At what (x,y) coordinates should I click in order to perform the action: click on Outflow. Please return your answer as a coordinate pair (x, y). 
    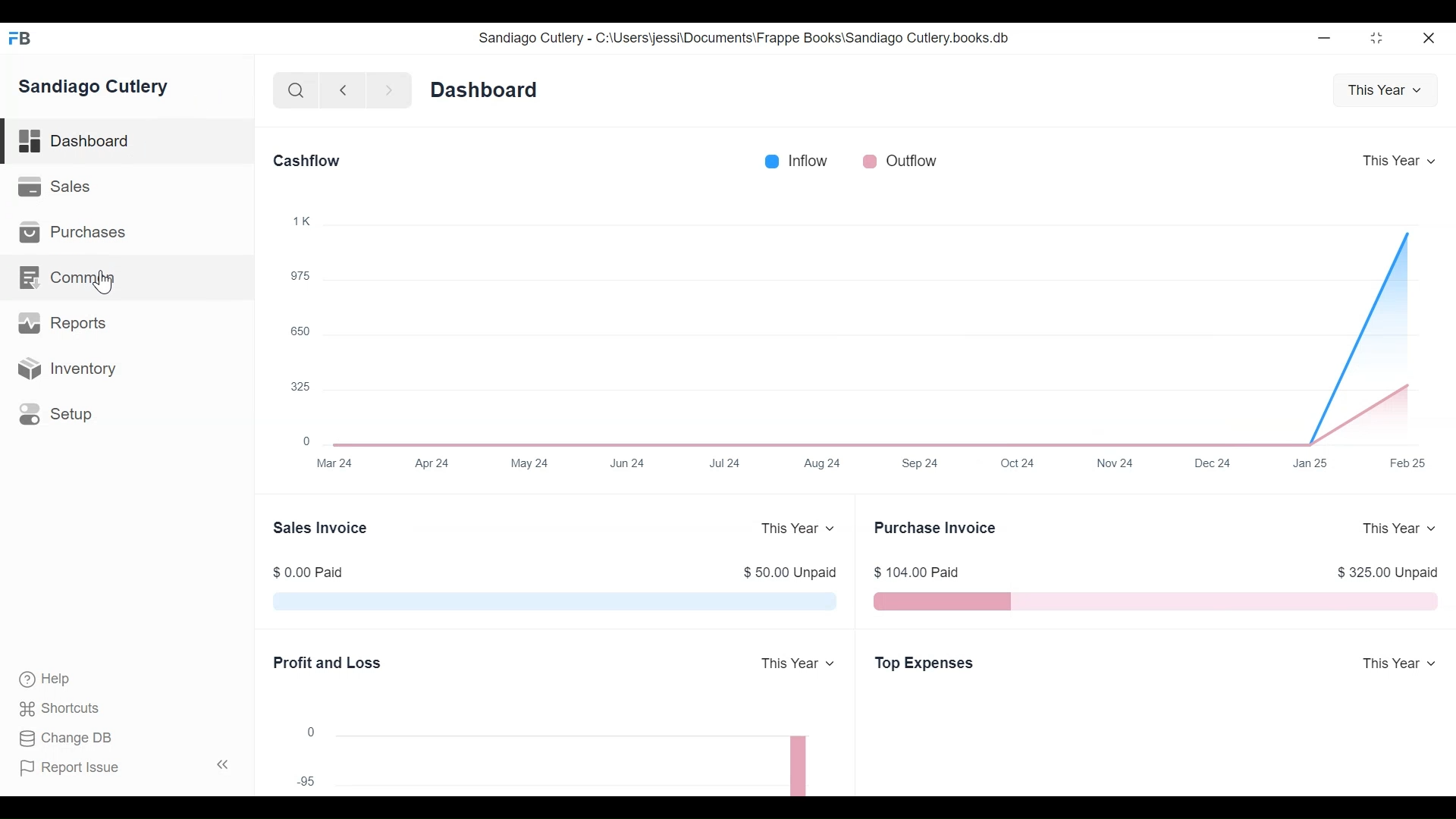
    Looking at the image, I should click on (915, 160).